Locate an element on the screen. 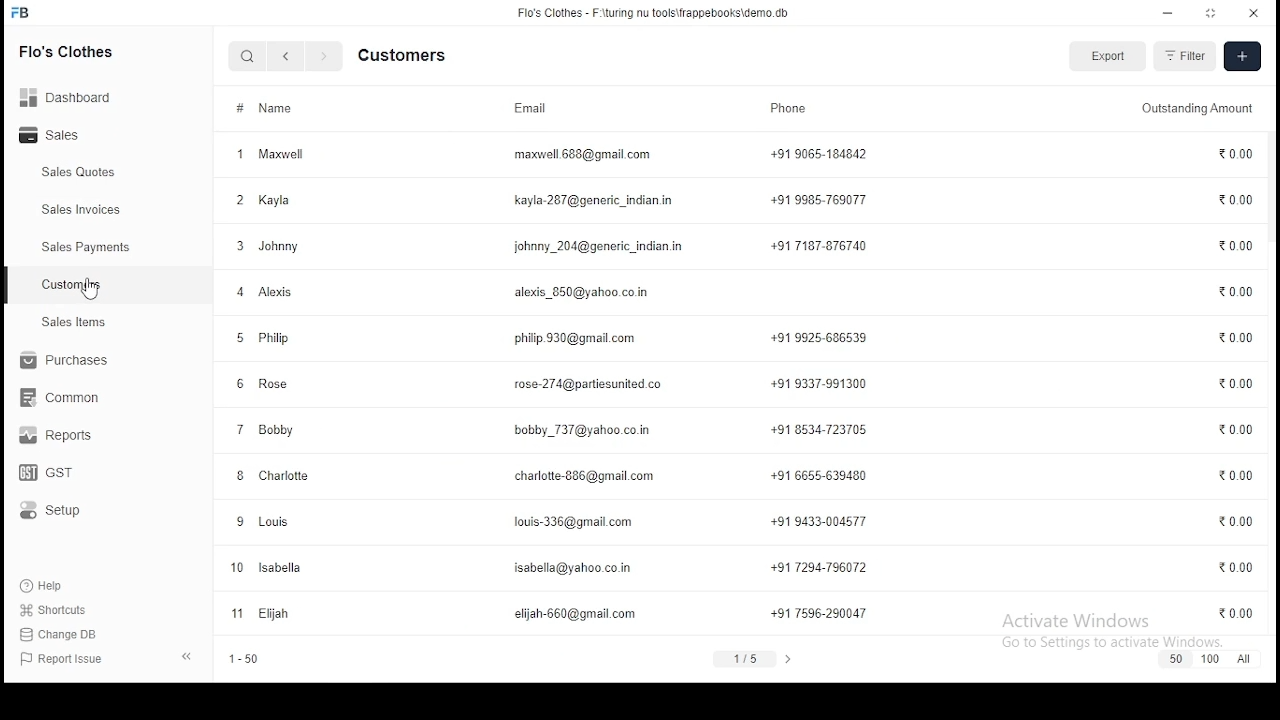 The width and height of the screenshot is (1280, 720). 0.00 is located at coordinates (1232, 245).